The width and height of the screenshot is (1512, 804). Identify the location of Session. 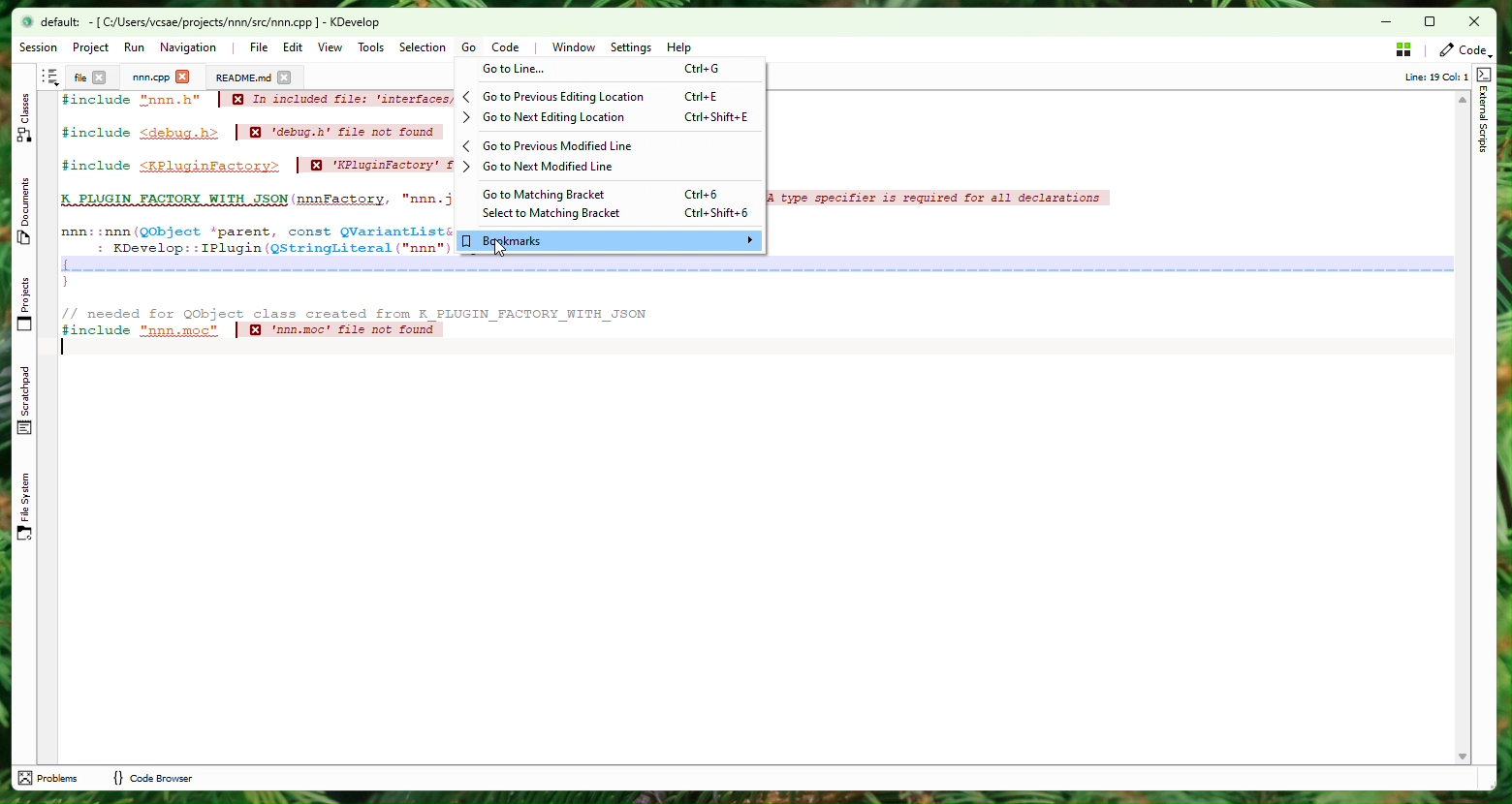
(42, 48).